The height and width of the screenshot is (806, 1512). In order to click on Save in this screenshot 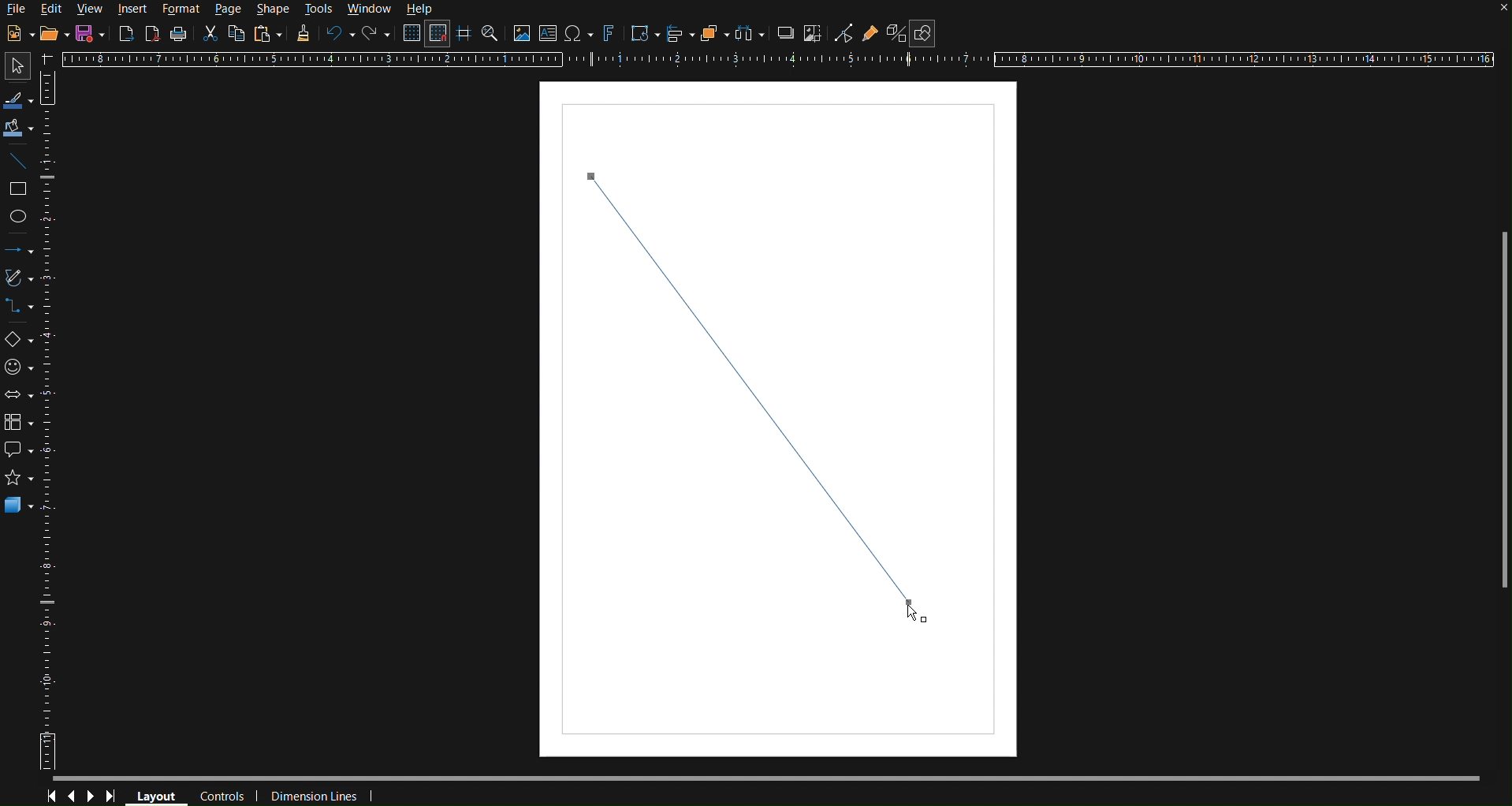, I will do `click(86, 34)`.